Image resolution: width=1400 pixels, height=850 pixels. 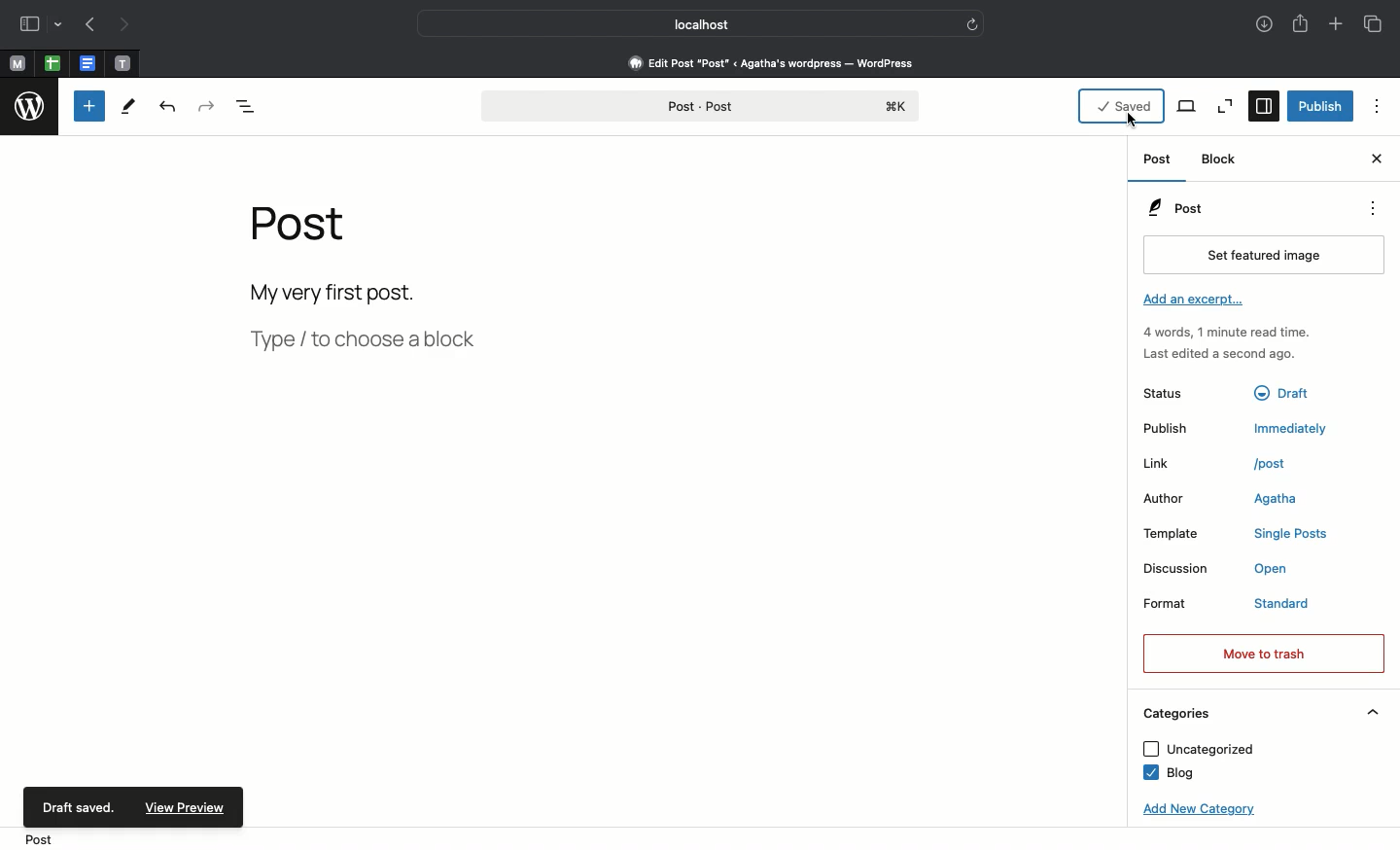 I want to click on My very first post. Type / to choose a block, so click(x=370, y=322).